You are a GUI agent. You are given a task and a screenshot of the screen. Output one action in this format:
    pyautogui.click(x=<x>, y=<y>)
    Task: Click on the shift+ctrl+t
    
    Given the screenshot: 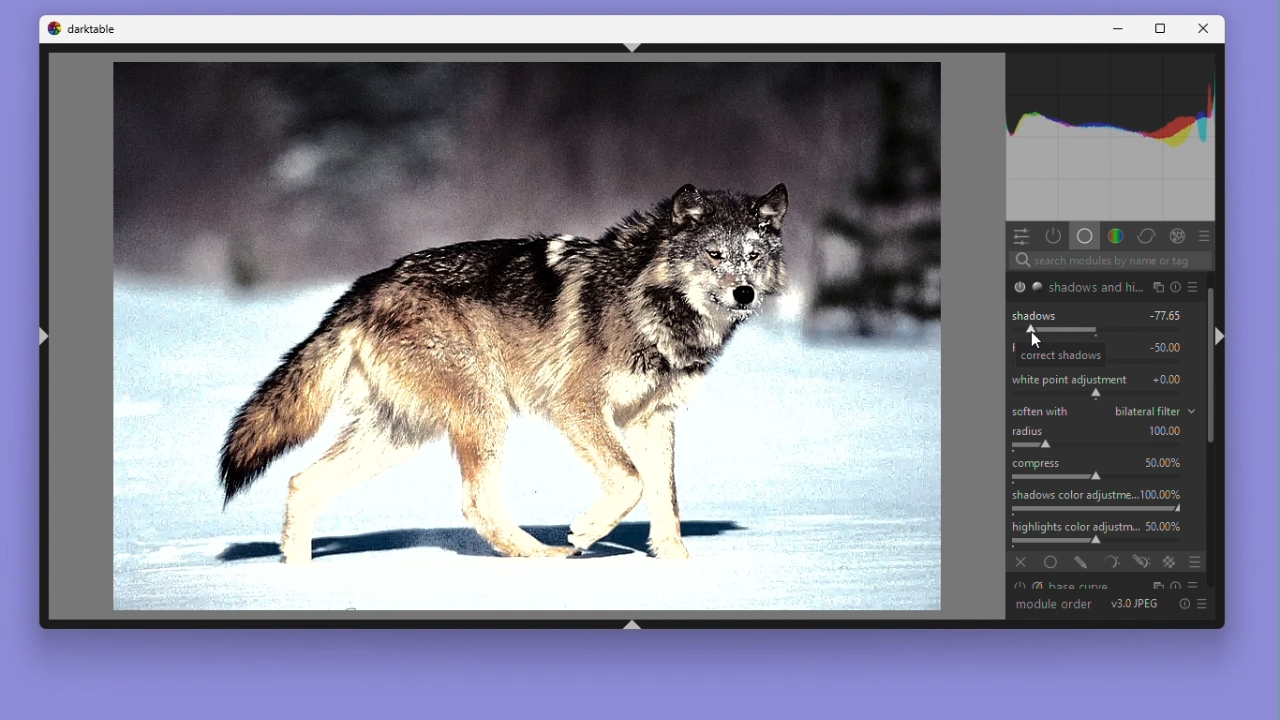 What is the action you would take?
    pyautogui.click(x=633, y=46)
    